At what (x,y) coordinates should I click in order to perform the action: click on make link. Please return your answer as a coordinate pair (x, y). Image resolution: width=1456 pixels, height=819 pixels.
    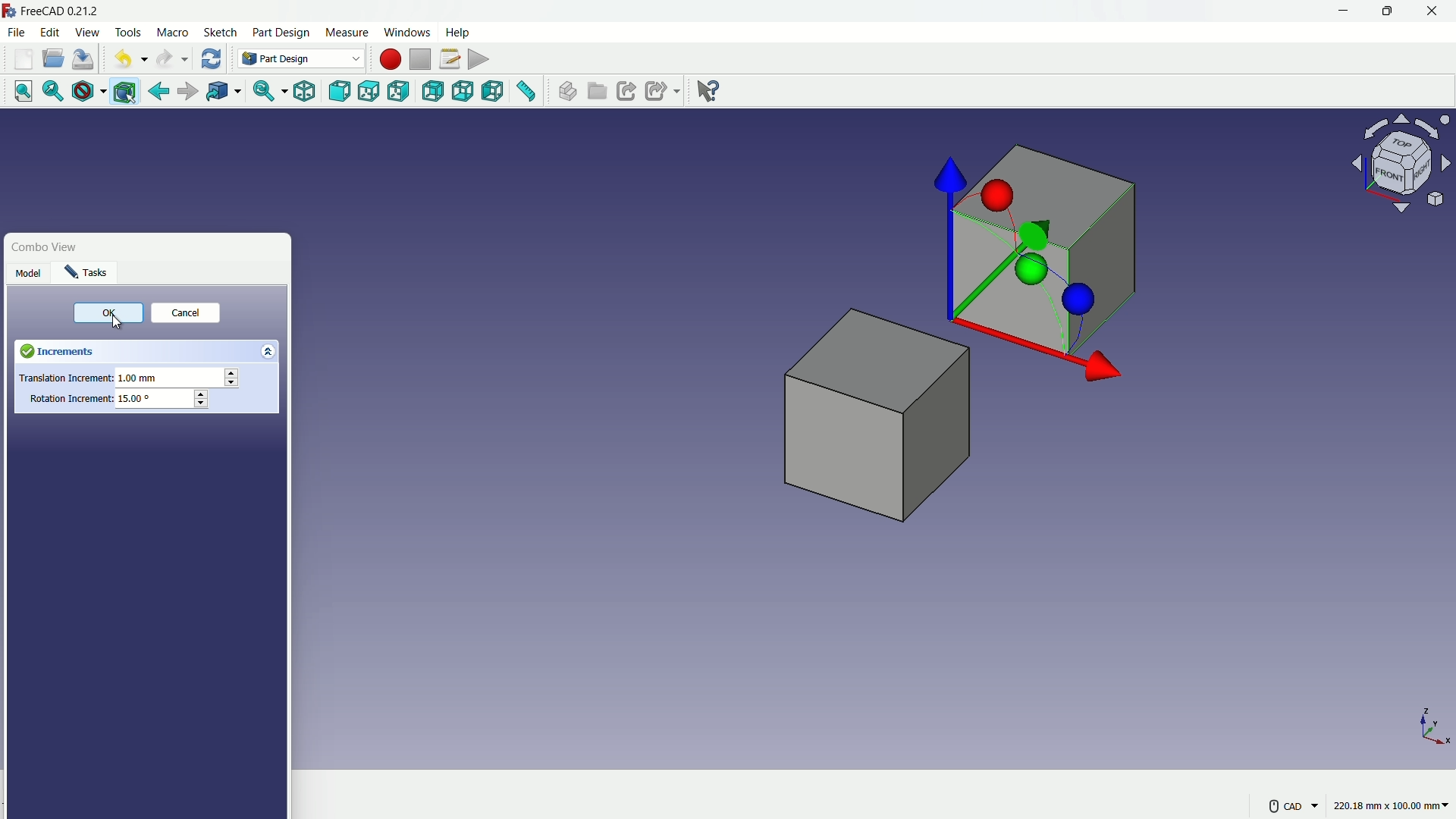
    Looking at the image, I should click on (626, 93).